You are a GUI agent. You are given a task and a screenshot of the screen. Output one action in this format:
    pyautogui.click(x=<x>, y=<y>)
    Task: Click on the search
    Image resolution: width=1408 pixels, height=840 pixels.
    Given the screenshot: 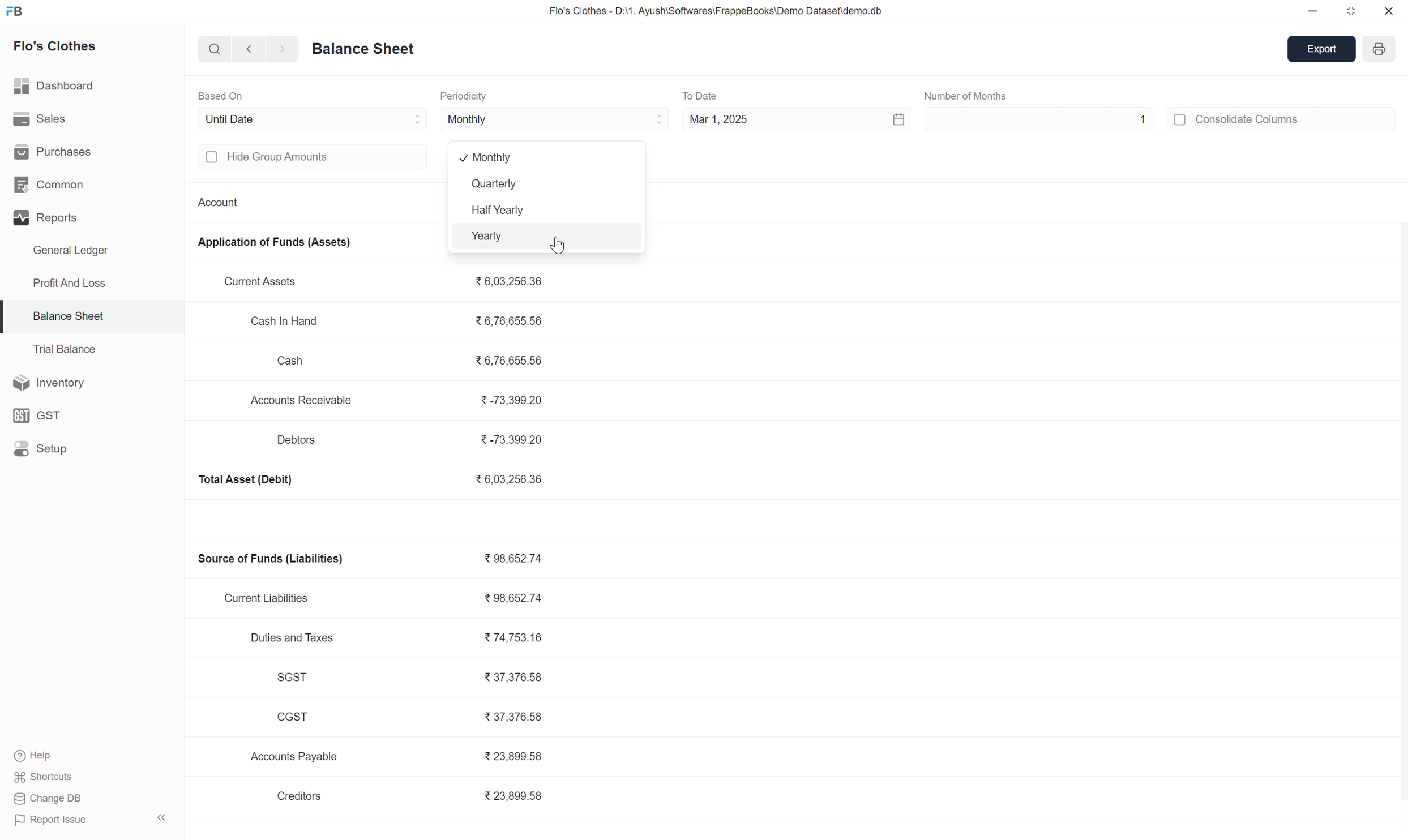 What is the action you would take?
    pyautogui.click(x=212, y=49)
    